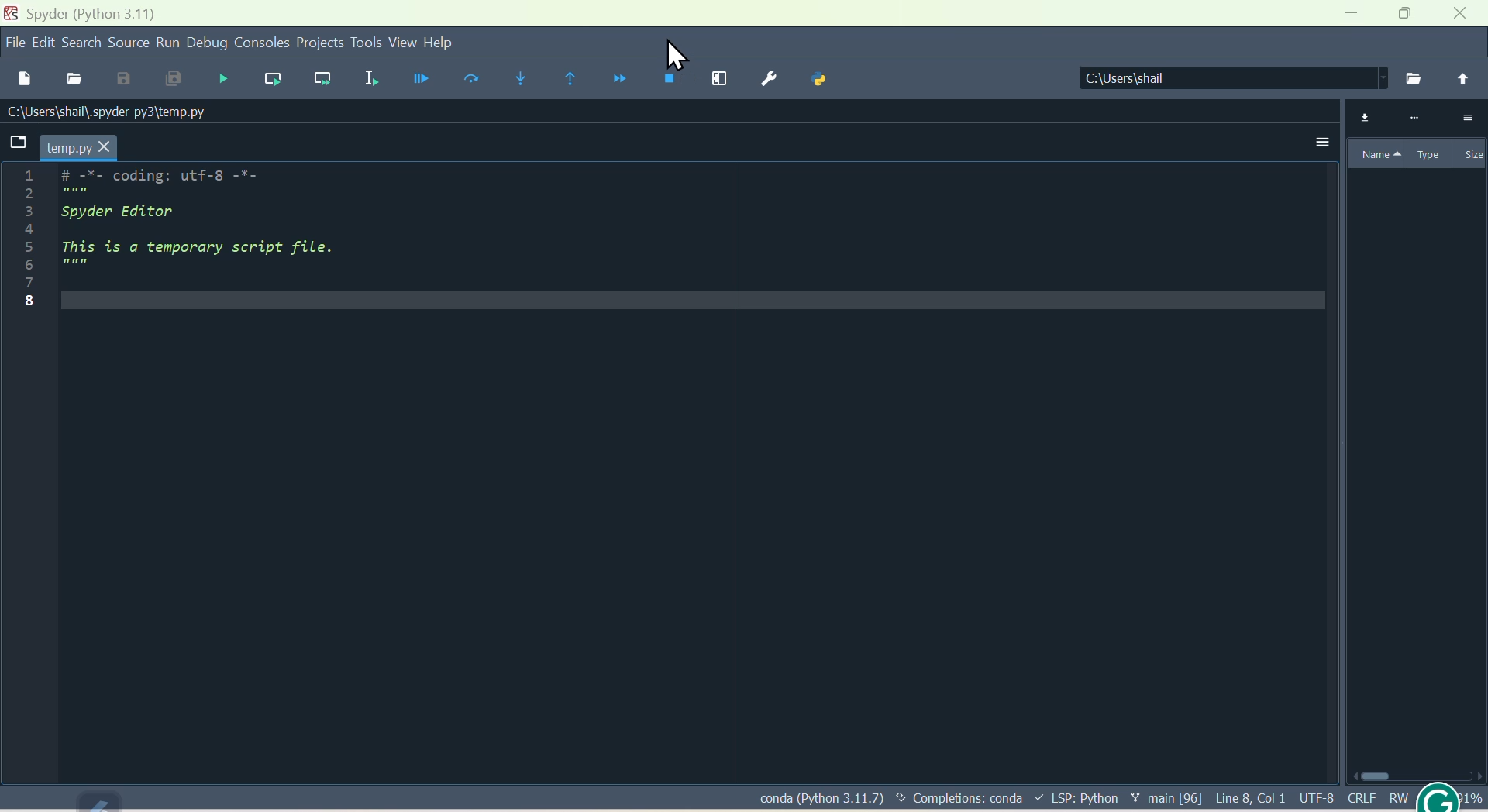 The image size is (1488, 812). Describe the element at coordinates (128, 43) in the screenshot. I see `Source` at that location.